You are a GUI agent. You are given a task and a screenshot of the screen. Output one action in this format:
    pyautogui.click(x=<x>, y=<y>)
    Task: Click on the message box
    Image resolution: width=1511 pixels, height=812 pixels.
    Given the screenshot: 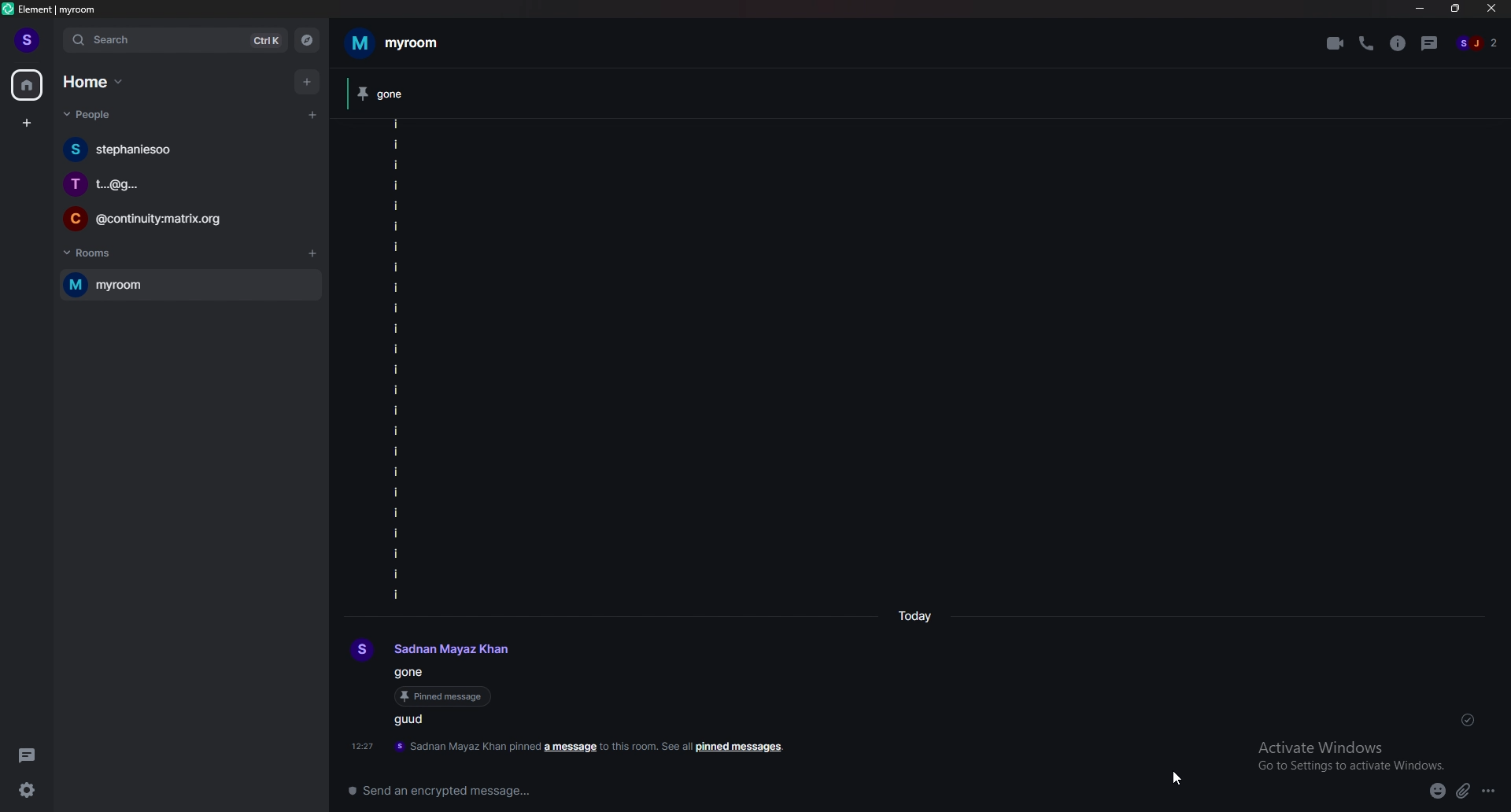 What is the action you would take?
    pyautogui.click(x=864, y=793)
    